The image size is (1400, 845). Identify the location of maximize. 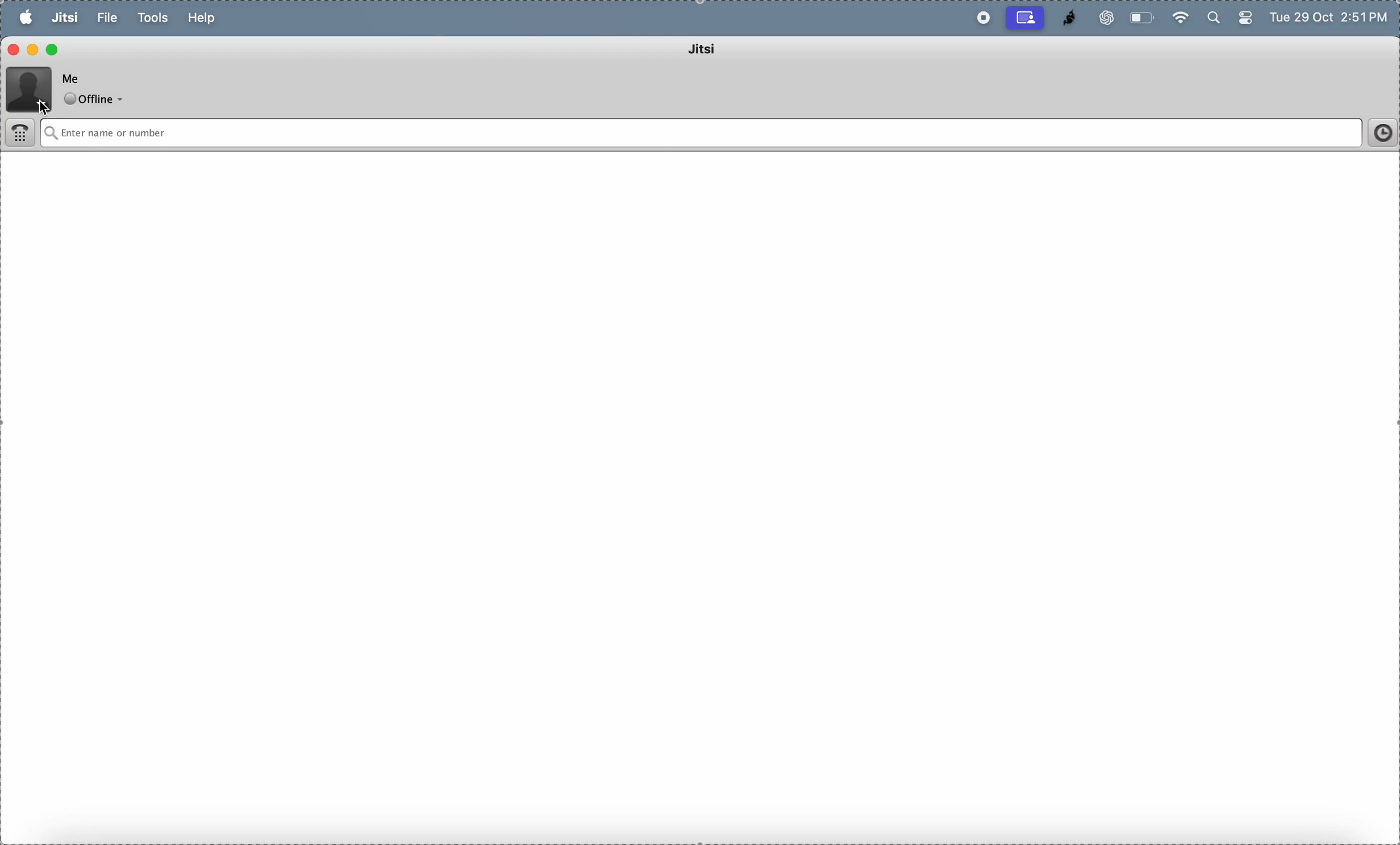
(53, 48).